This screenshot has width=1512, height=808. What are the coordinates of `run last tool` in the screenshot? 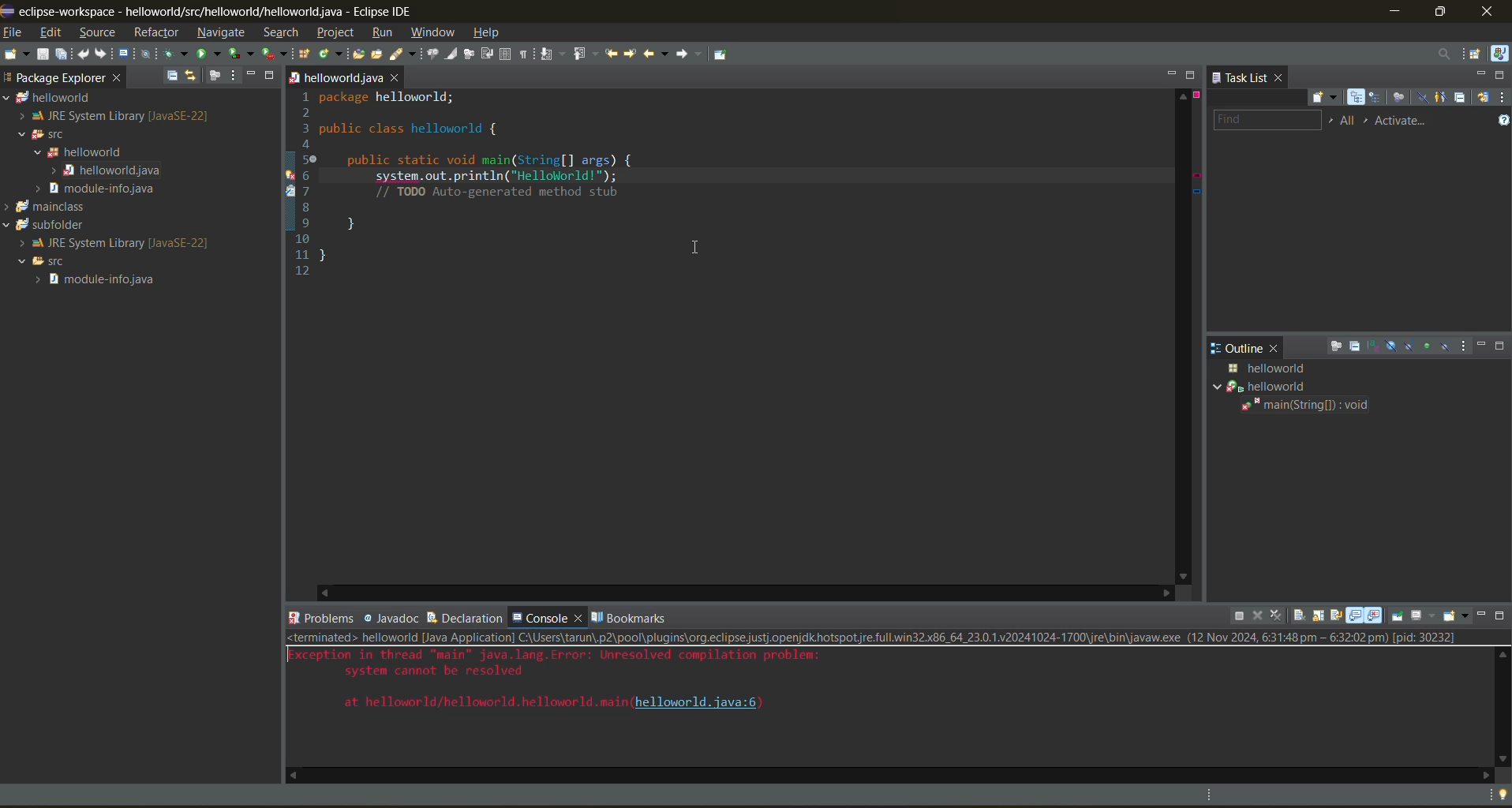 It's located at (276, 54).